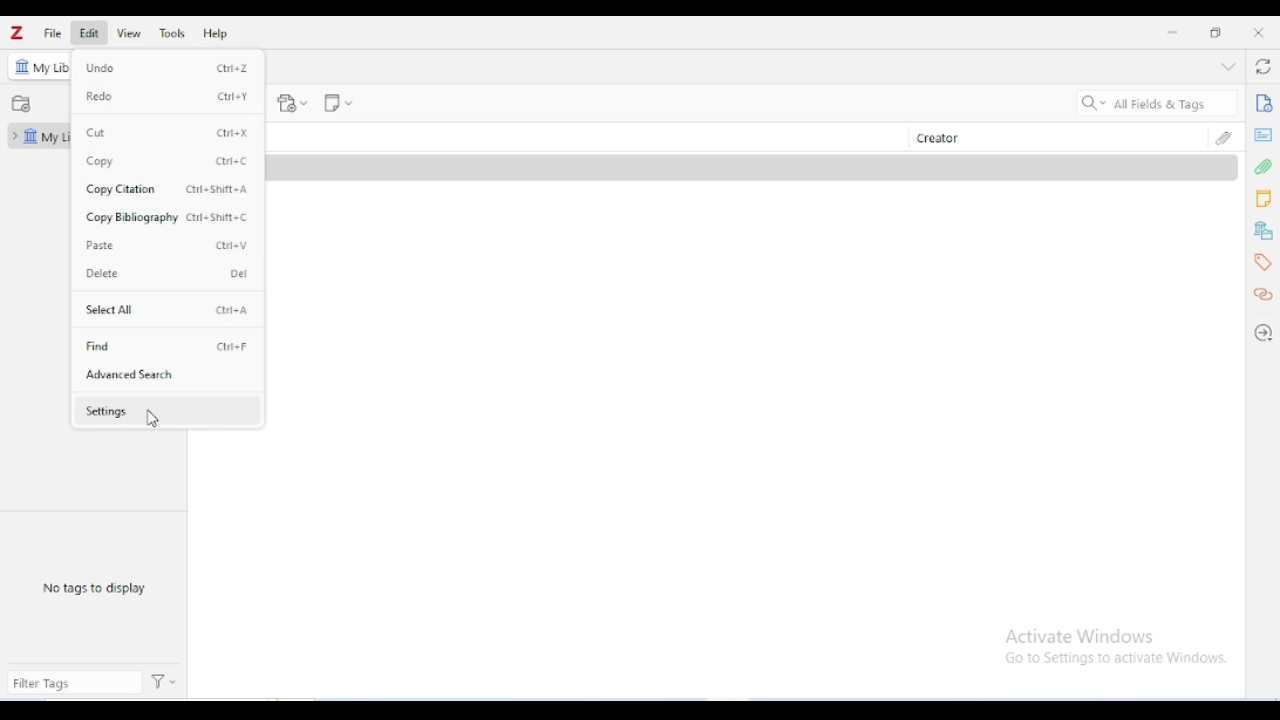 This screenshot has height=720, width=1280. What do you see at coordinates (130, 33) in the screenshot?
I see `view` at bounding box center [130, 33].